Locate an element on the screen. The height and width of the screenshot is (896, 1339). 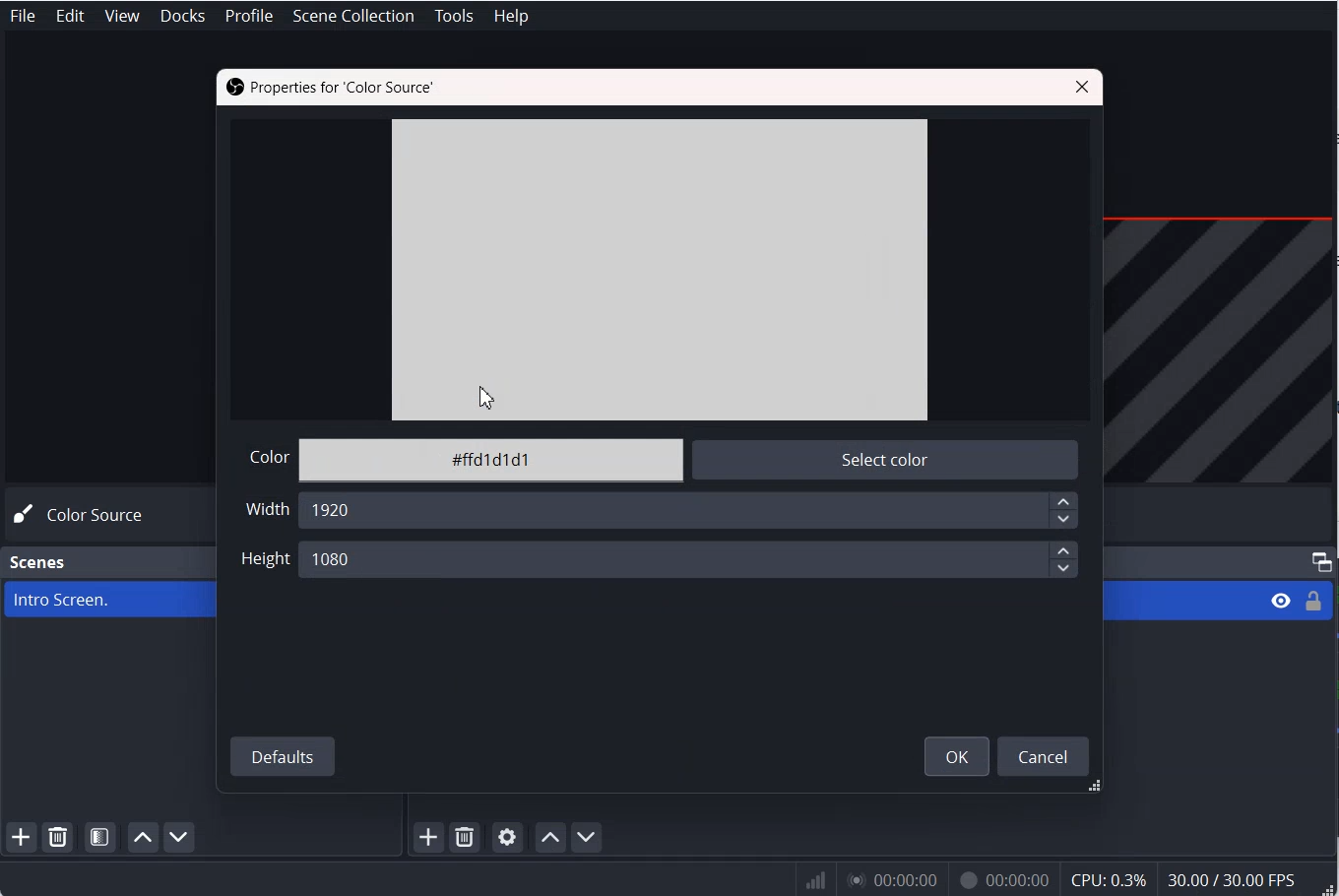
Close is located at coordinates (1084, 86).